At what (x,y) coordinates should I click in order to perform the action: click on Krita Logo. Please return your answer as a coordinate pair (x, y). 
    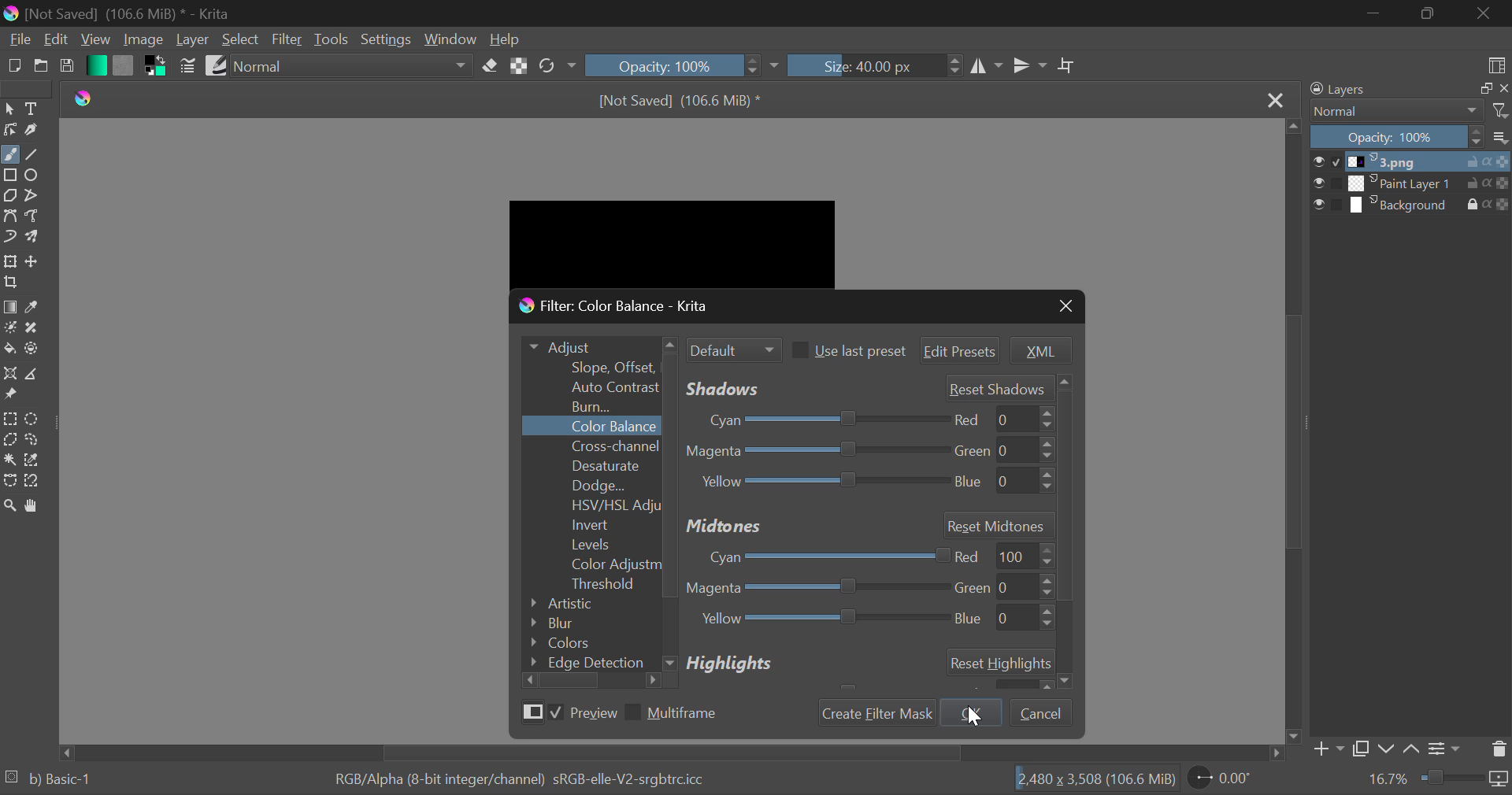
    Looking at the image, I should click on (83, 97).